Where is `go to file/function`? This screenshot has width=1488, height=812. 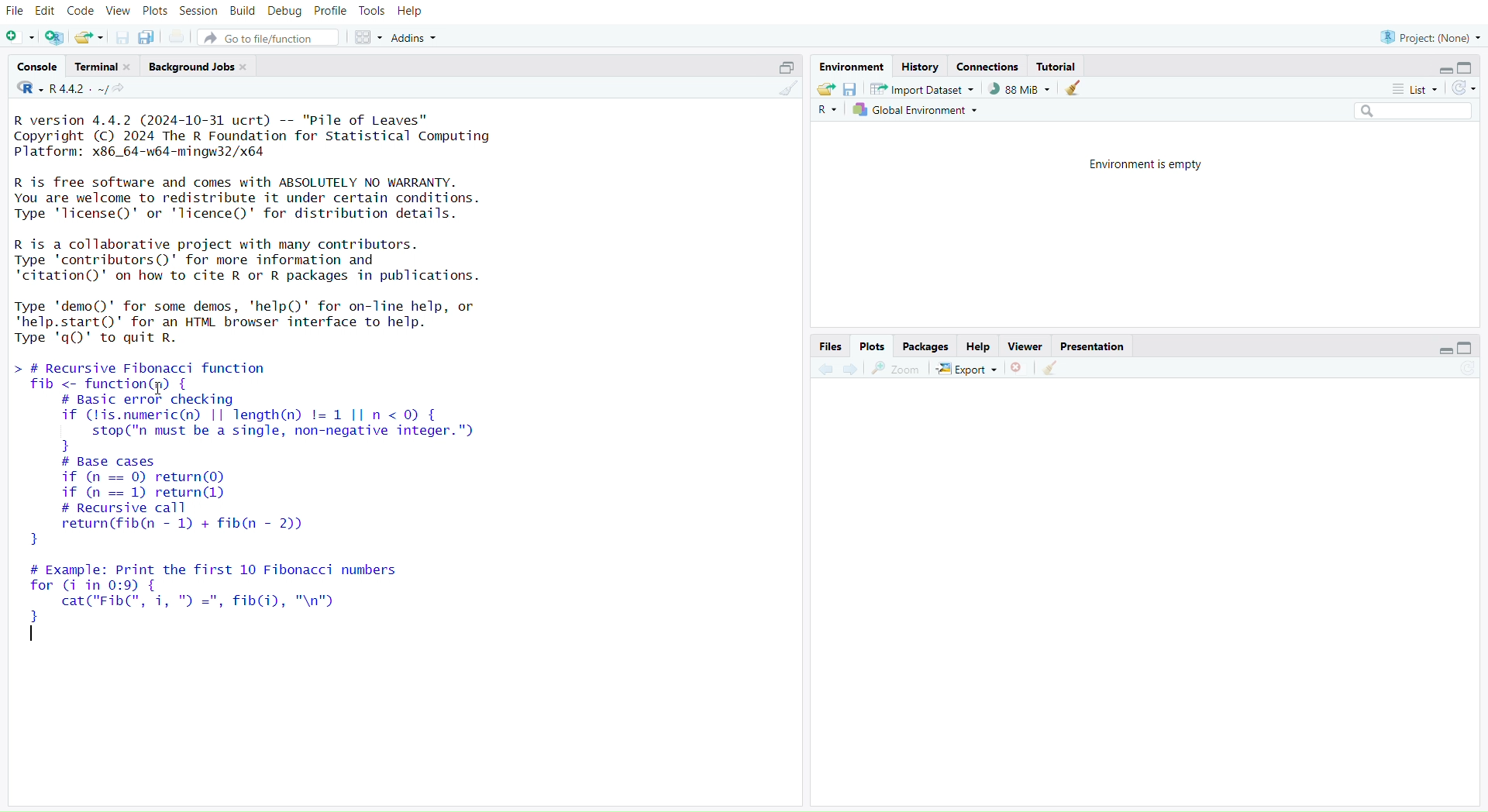 go to file/function is located at coordinates (268, 39).